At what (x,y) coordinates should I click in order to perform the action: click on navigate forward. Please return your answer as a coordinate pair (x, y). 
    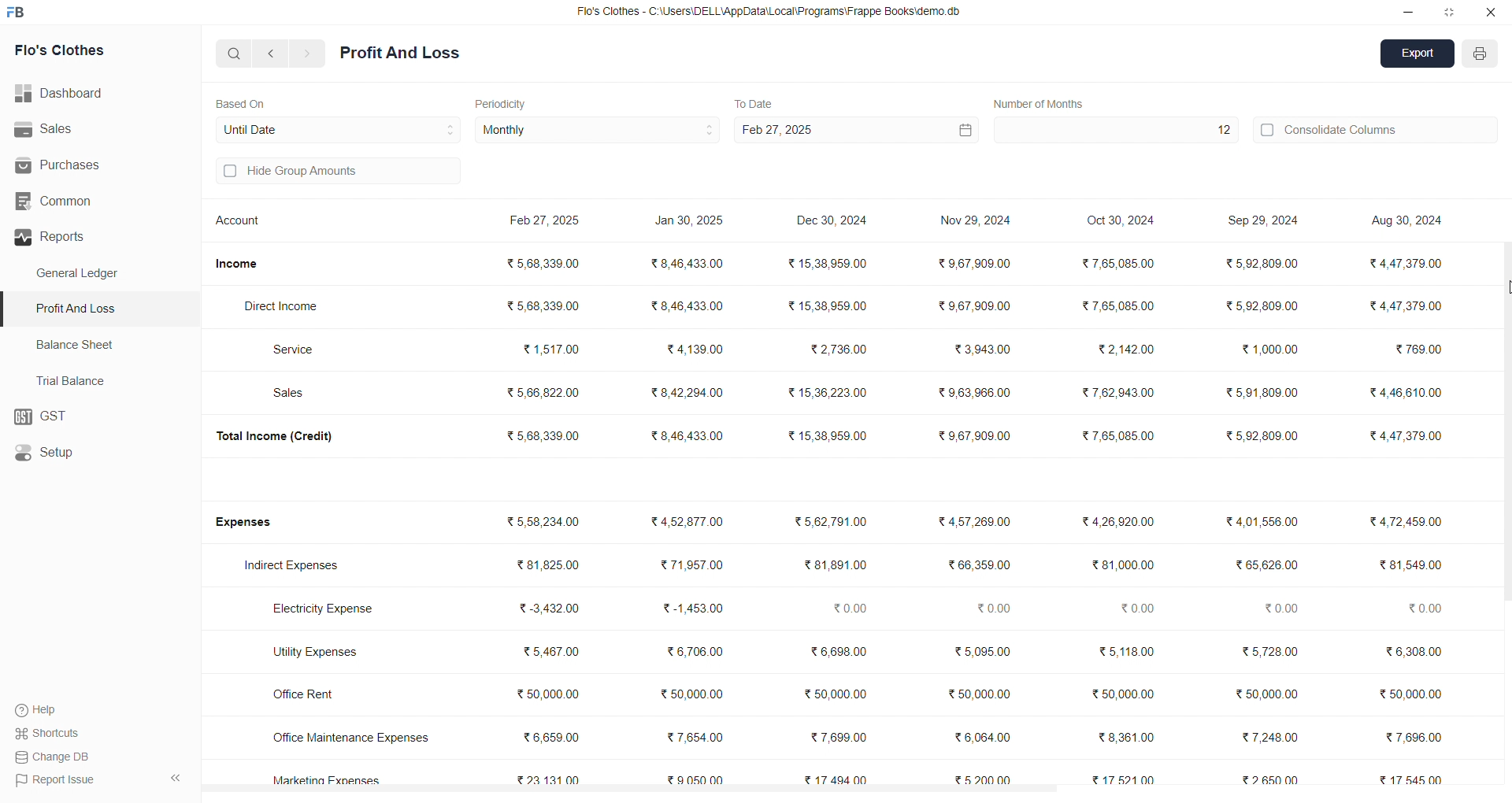
    Looking at the image, I should click on (308, 54).